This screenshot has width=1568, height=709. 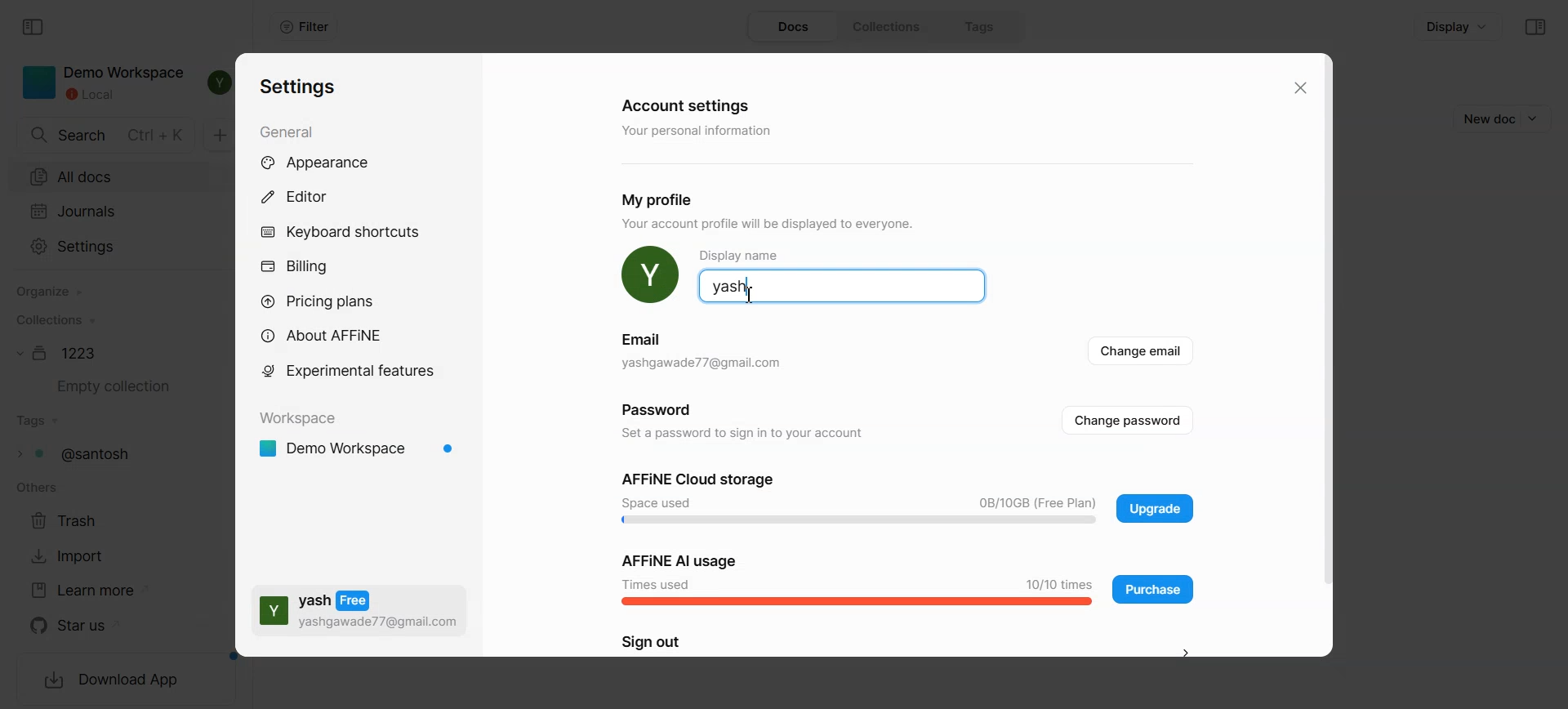 I want to click on Pricing plans, so click(x=328, y=301).